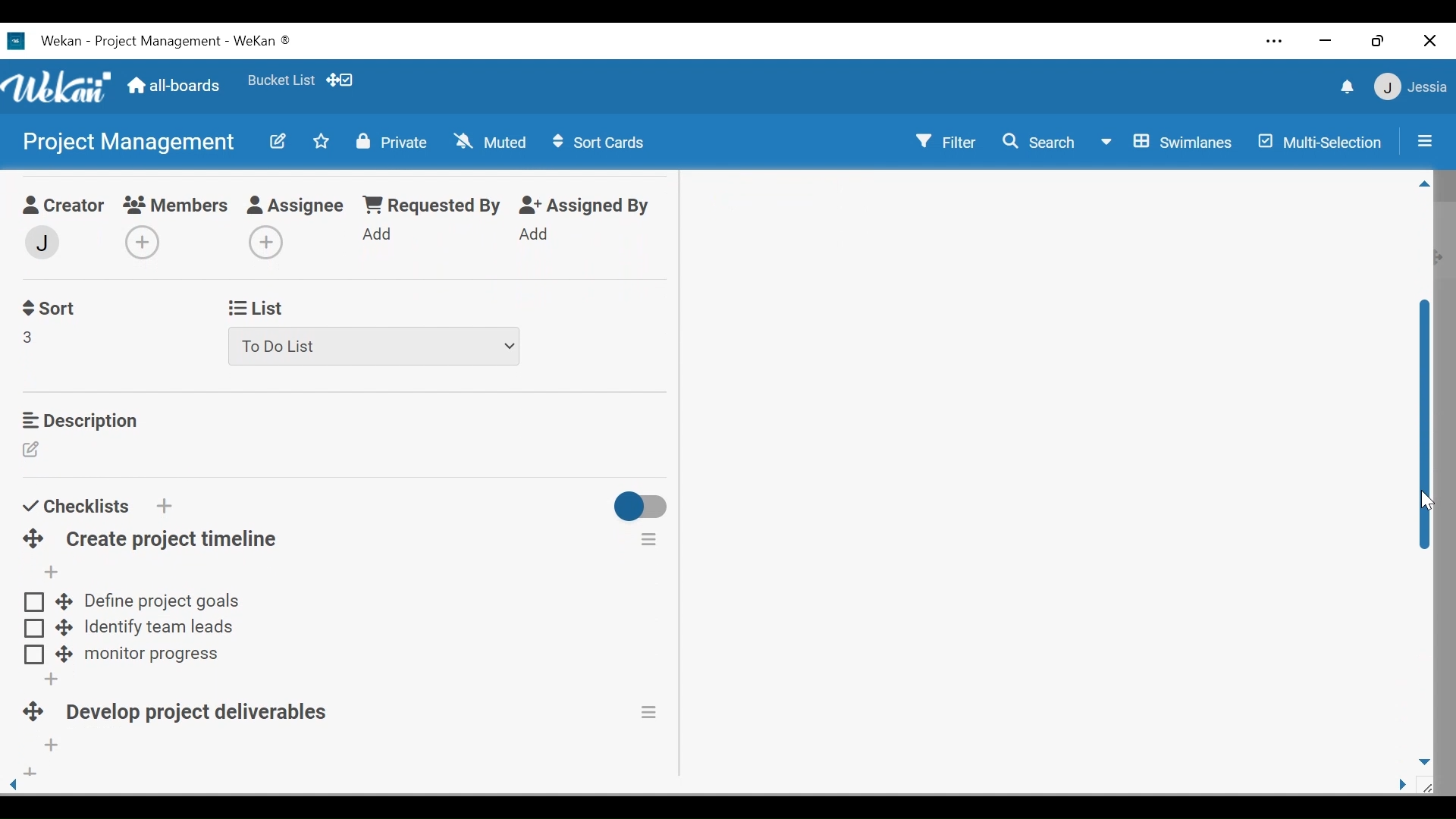 The image size is (1456, 819). Describe the element at coordinates (163, 601) in the screenshot. I see `Checklist items` at that location.